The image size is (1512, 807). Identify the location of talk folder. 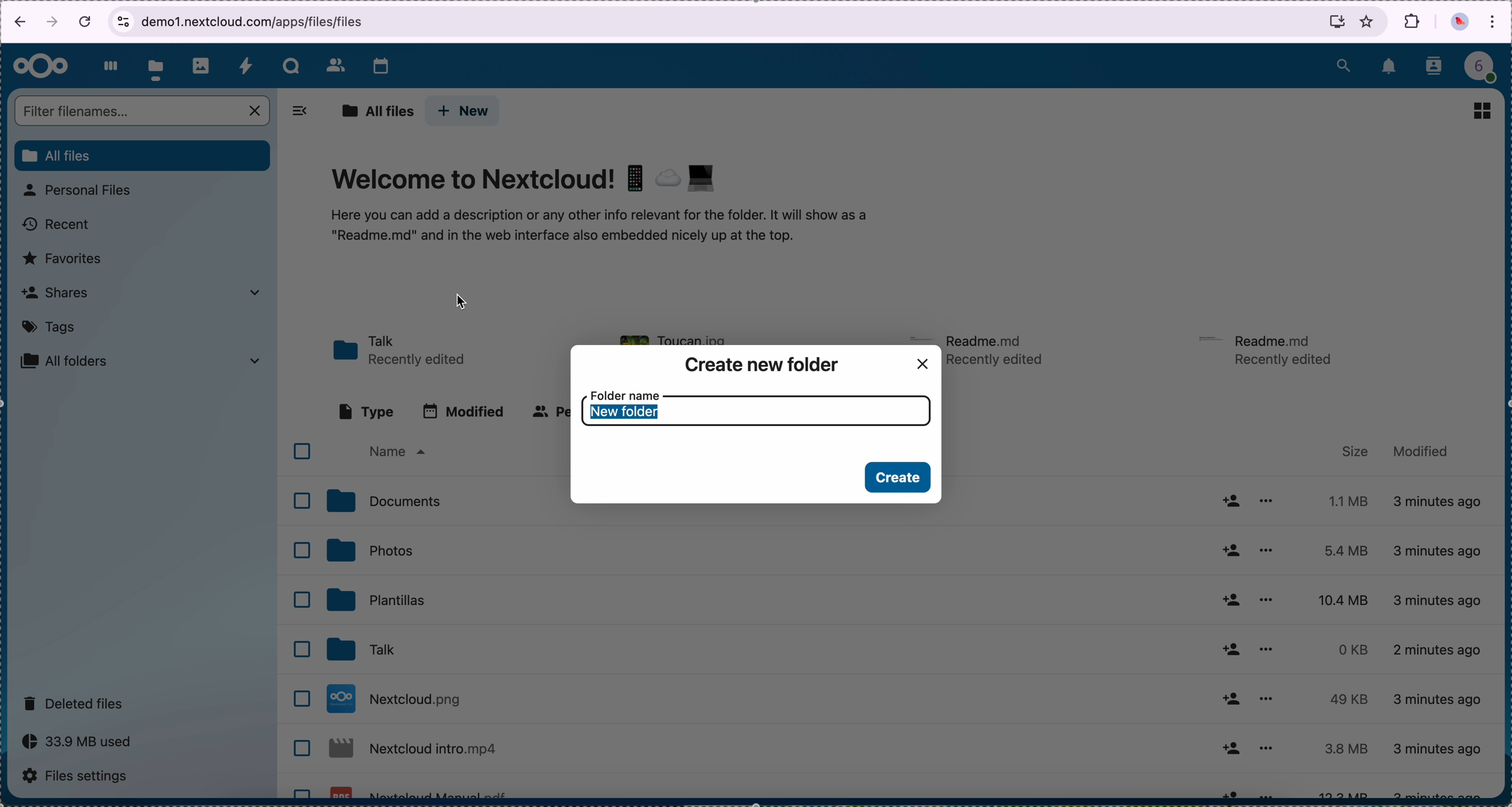
(401, 352).